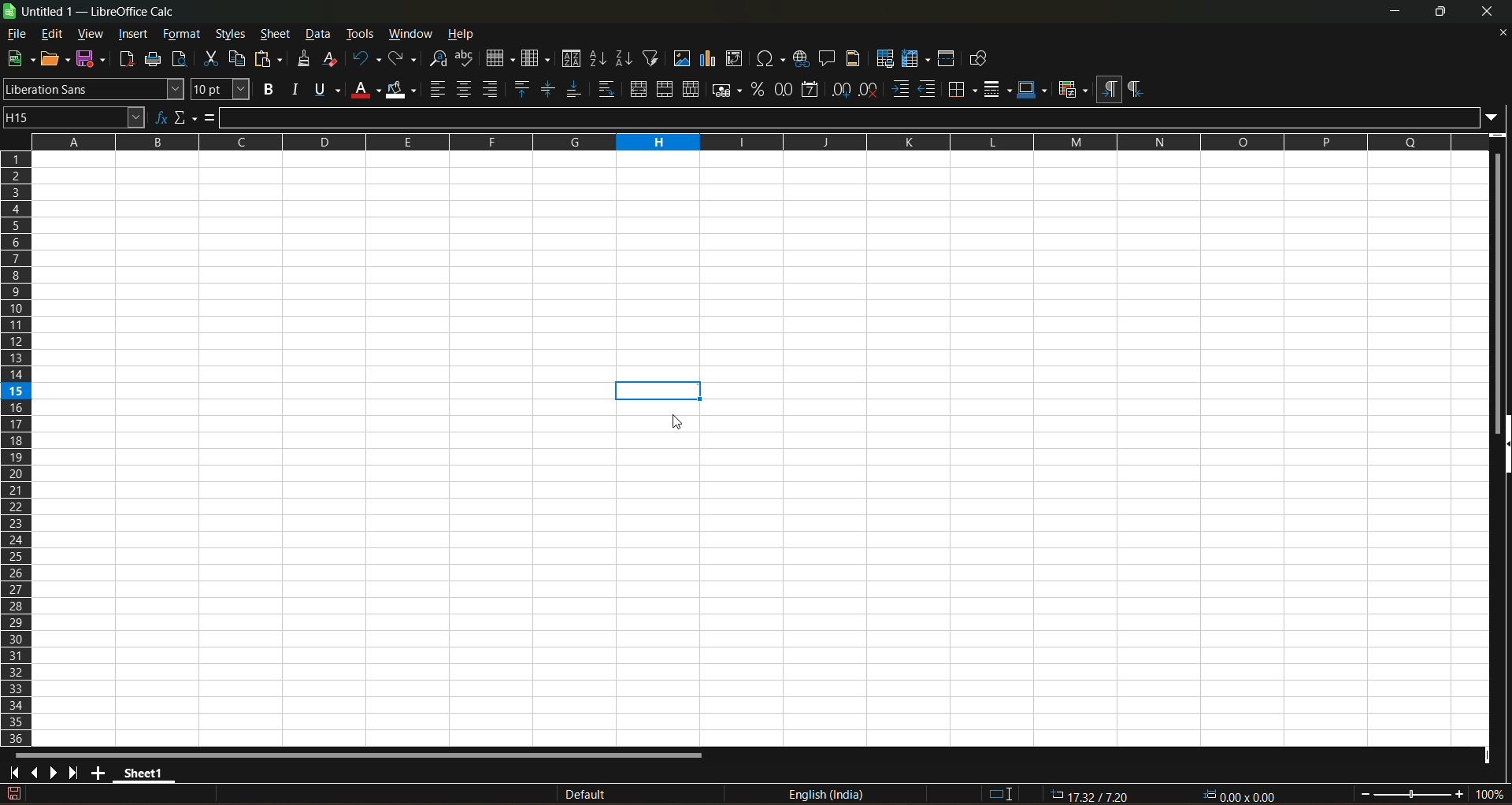  I want to click on insert special characters, so click(769, 58).